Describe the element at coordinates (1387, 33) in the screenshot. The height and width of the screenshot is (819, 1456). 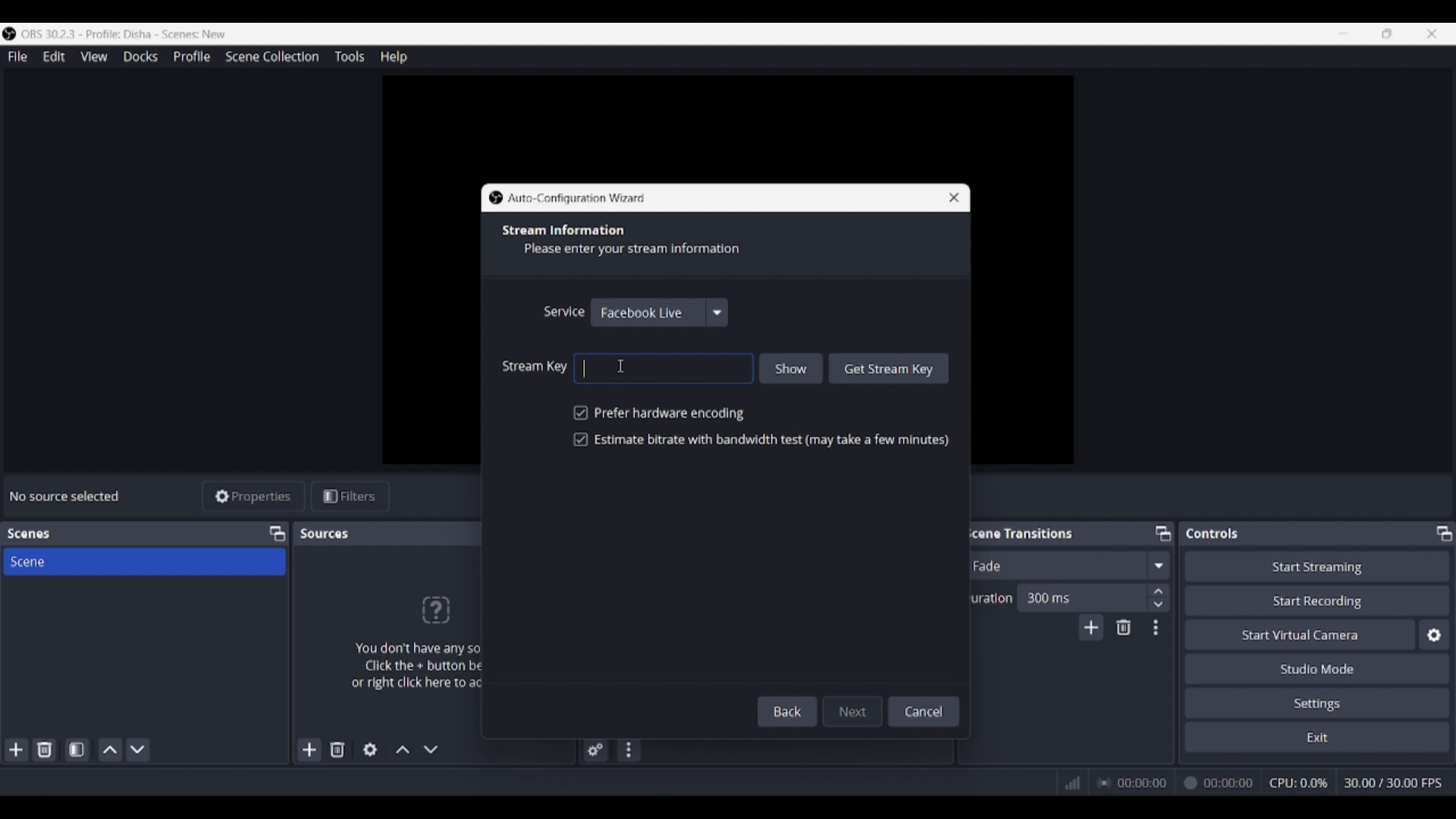
I see `Show interface in a smaller tab` at that location.